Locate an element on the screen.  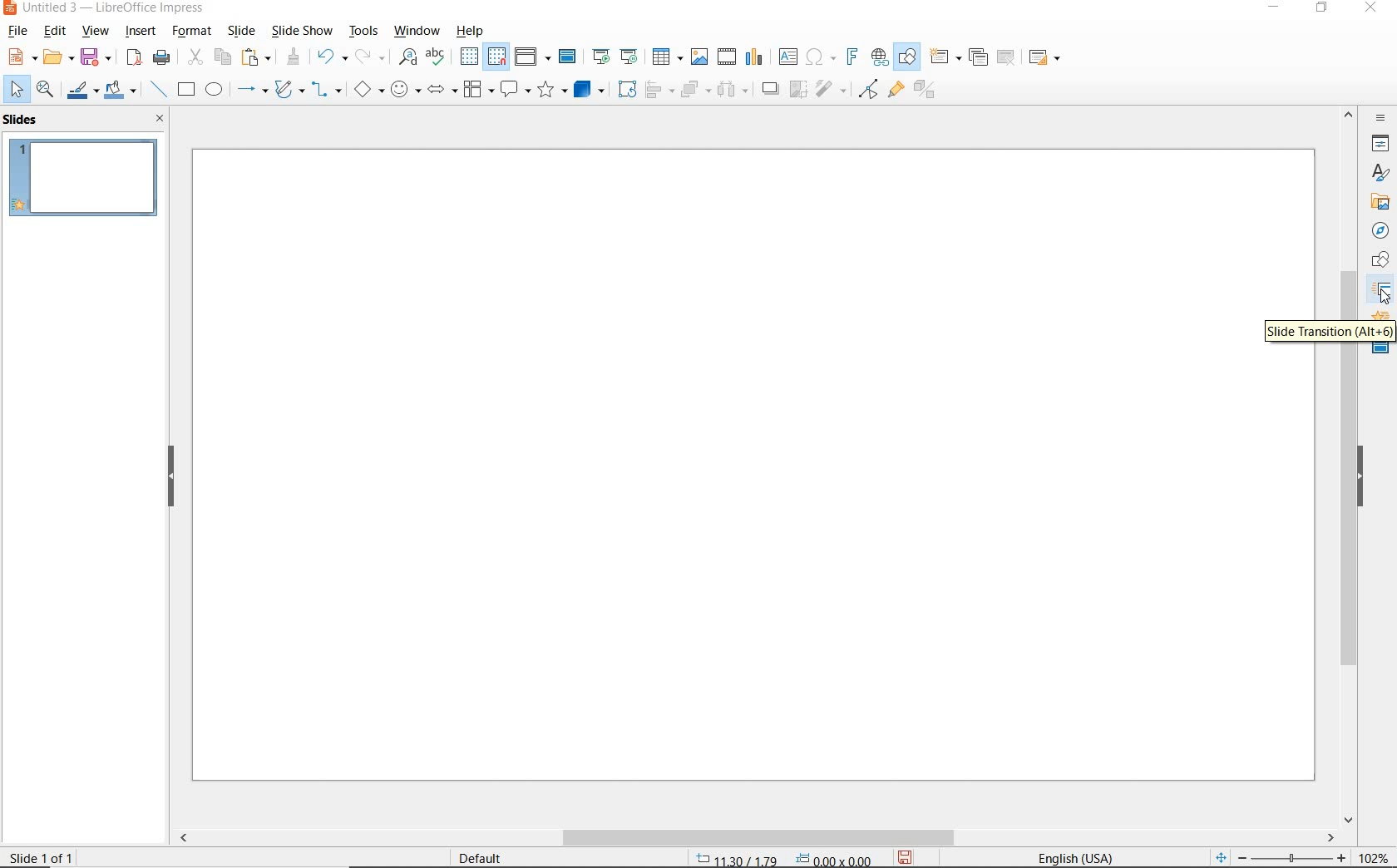
3 OBJECTS TO DISTRIBUTE is located at coordinates (730, 89).